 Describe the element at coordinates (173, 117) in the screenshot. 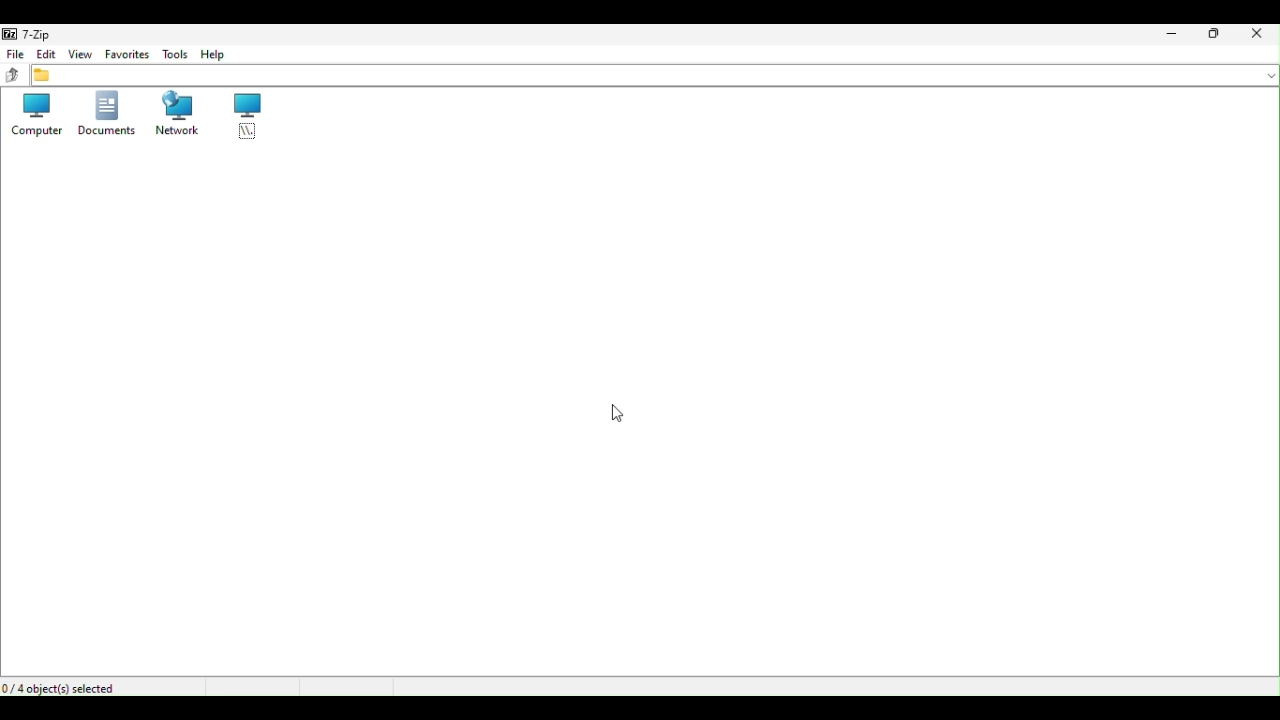

I see `network` at that location.